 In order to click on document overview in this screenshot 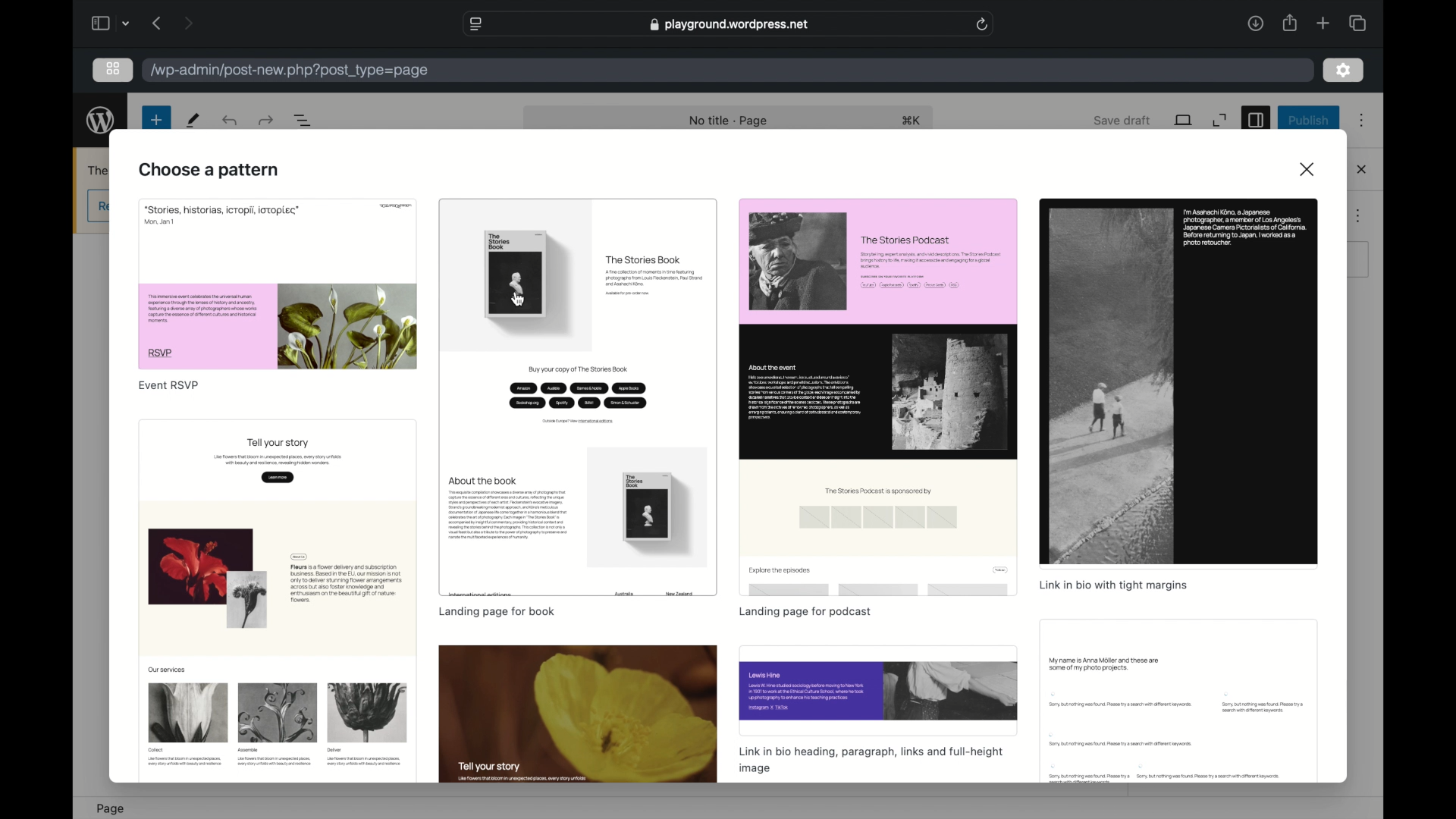, I will do `click(304, 121)`.